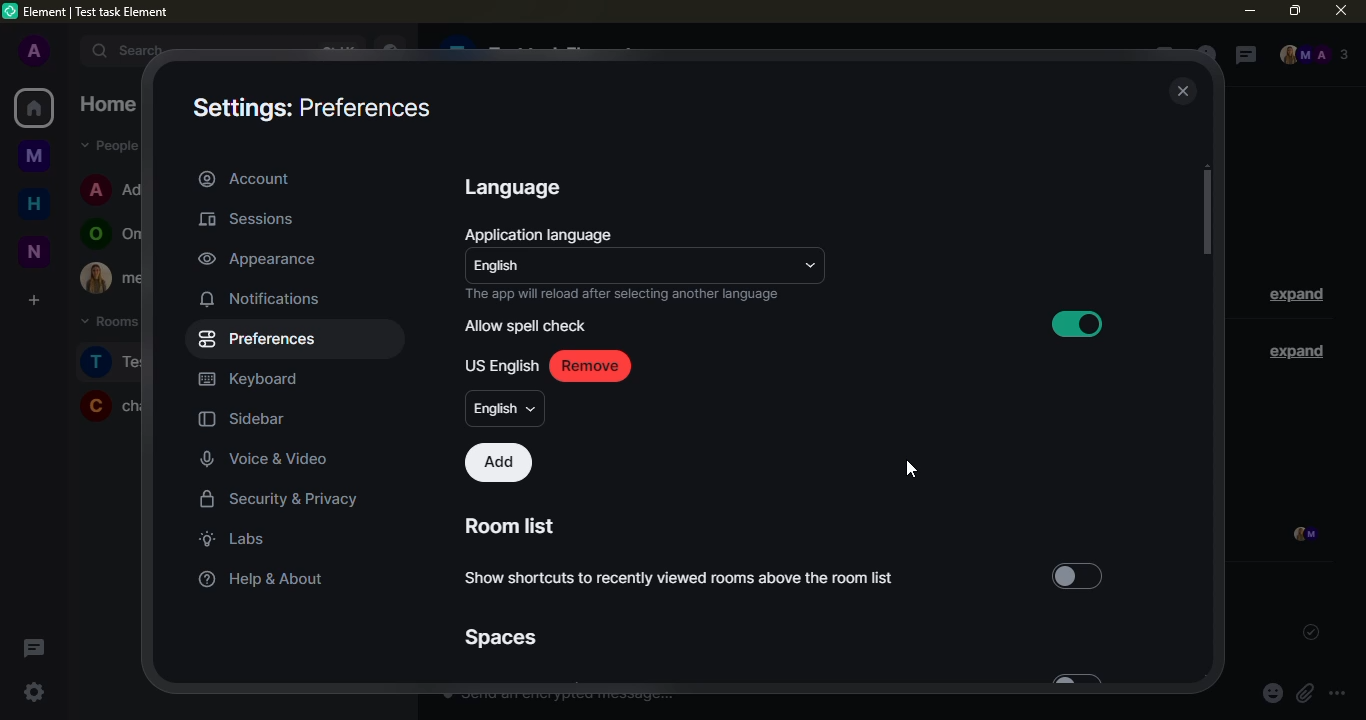 The width and height of the screenshot is (1366, 720). Describe the element at coordinates (280, 501) in the screenshot. I see `security` at that location.